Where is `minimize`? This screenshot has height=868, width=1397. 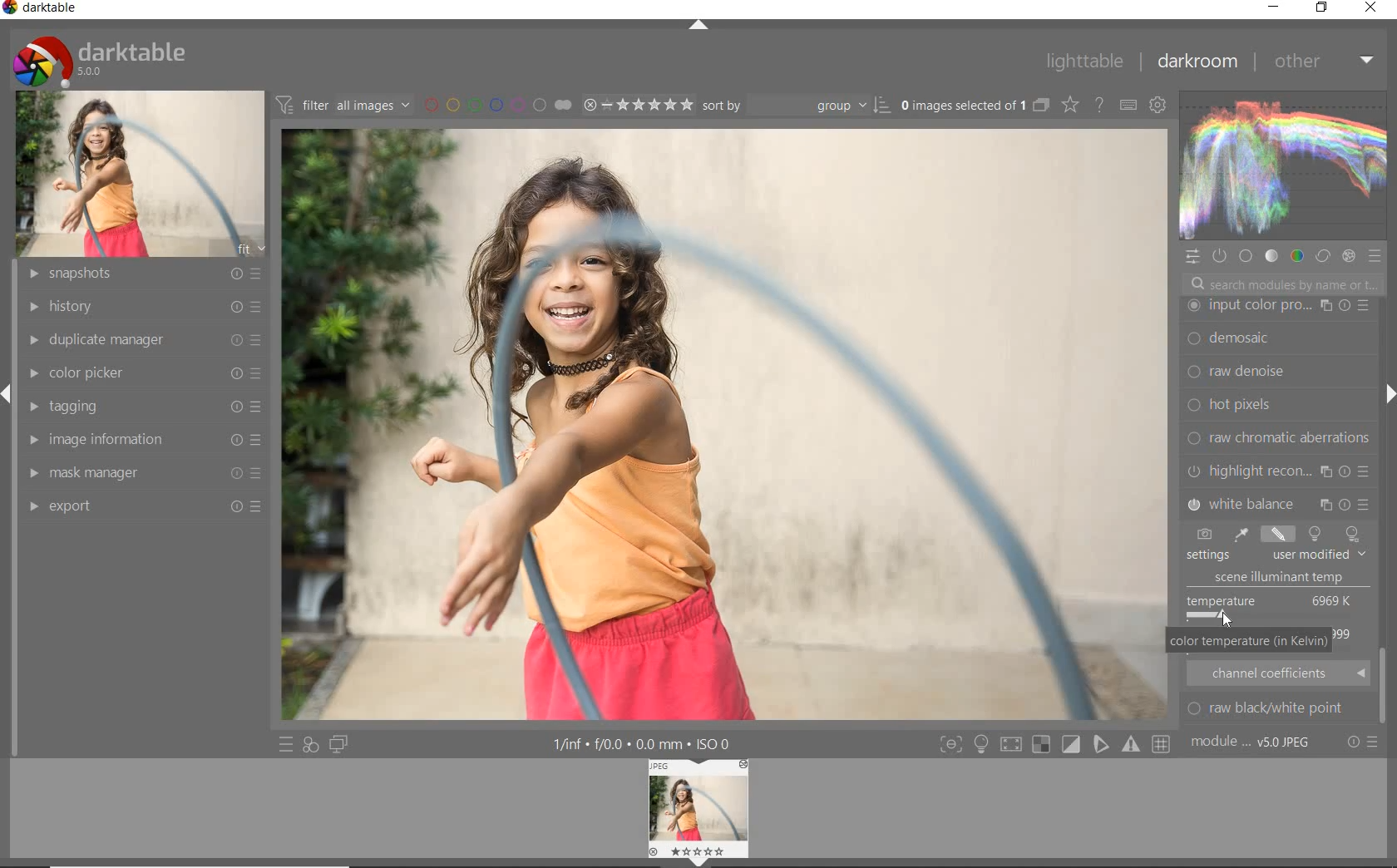
minimize is located at coordinates (1273, 6).